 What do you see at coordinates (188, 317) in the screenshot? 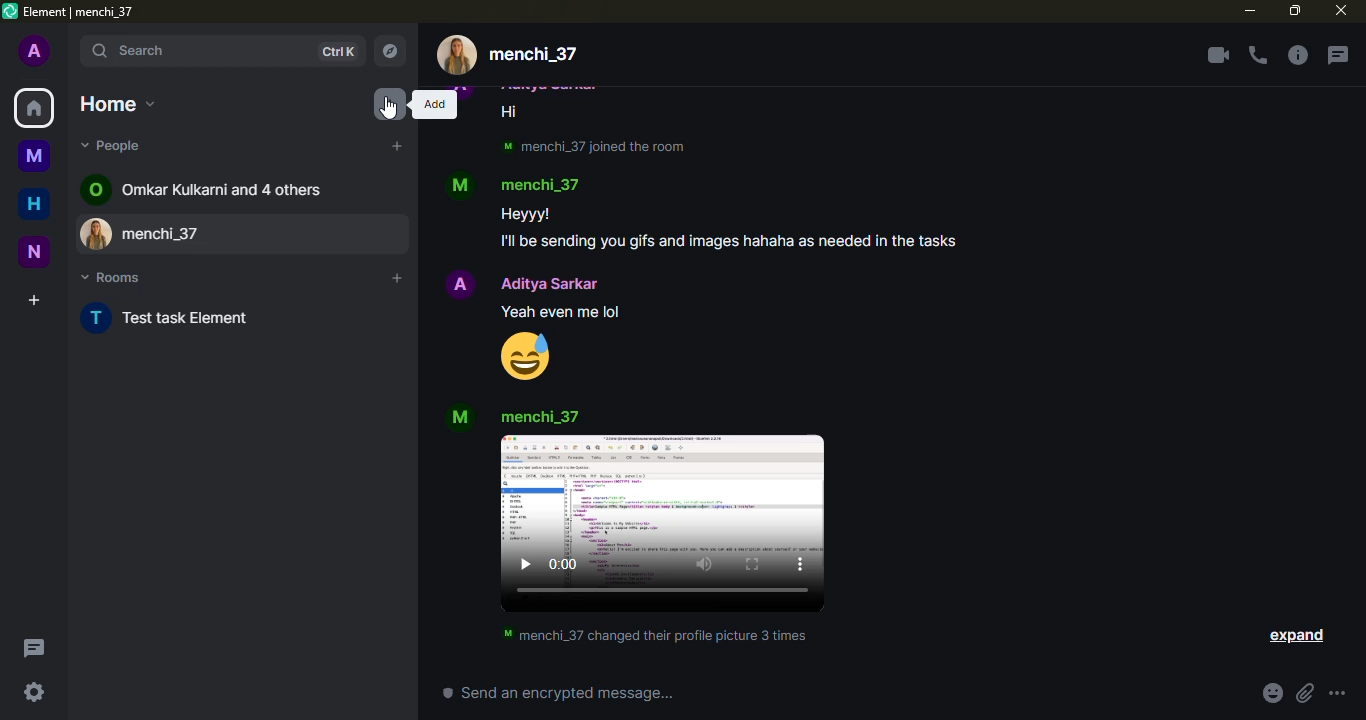
I see `Test task Element` at bounding box center [188, 317].